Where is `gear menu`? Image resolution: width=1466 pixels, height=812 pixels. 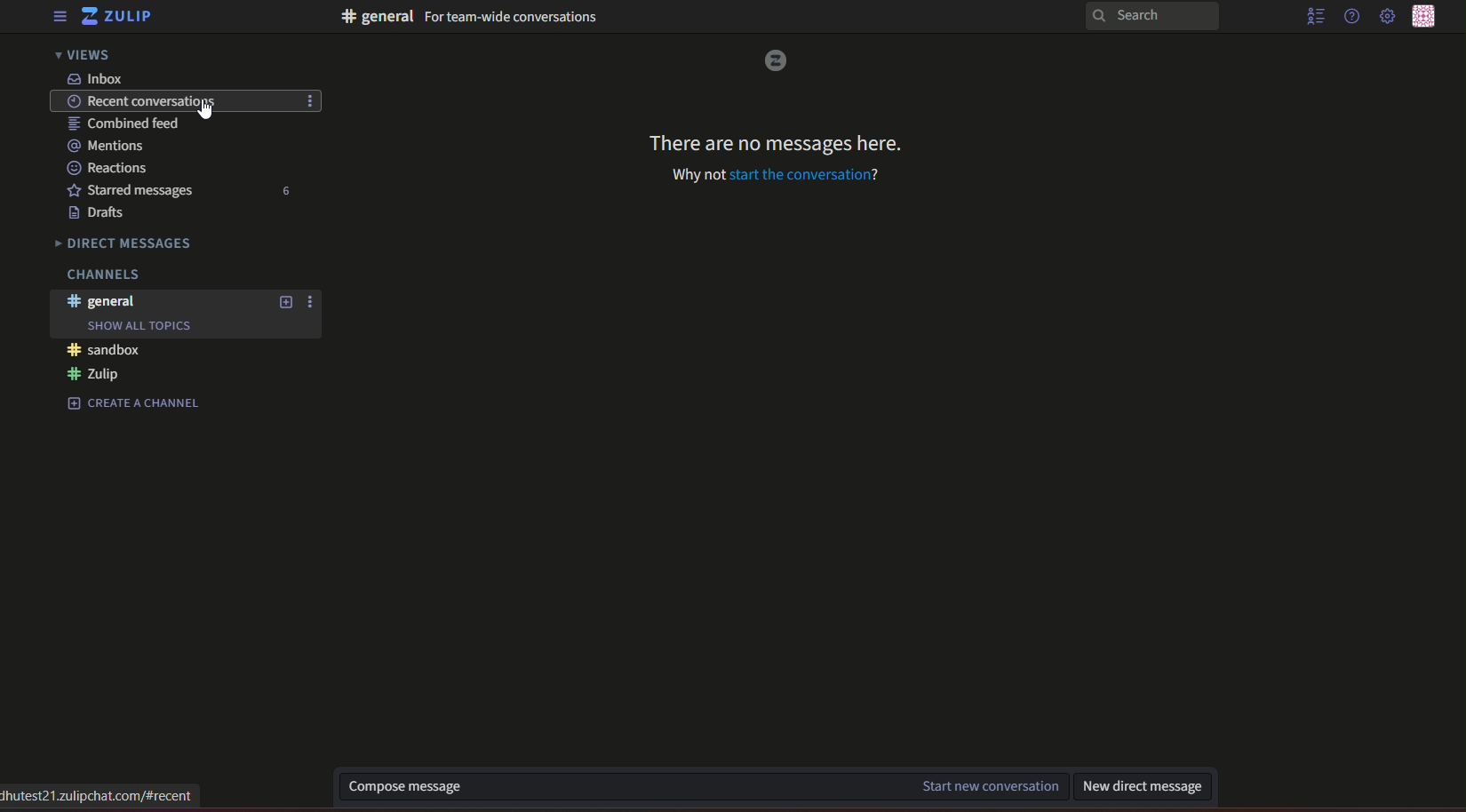 gear menu is located at coordinates (1386, 18).